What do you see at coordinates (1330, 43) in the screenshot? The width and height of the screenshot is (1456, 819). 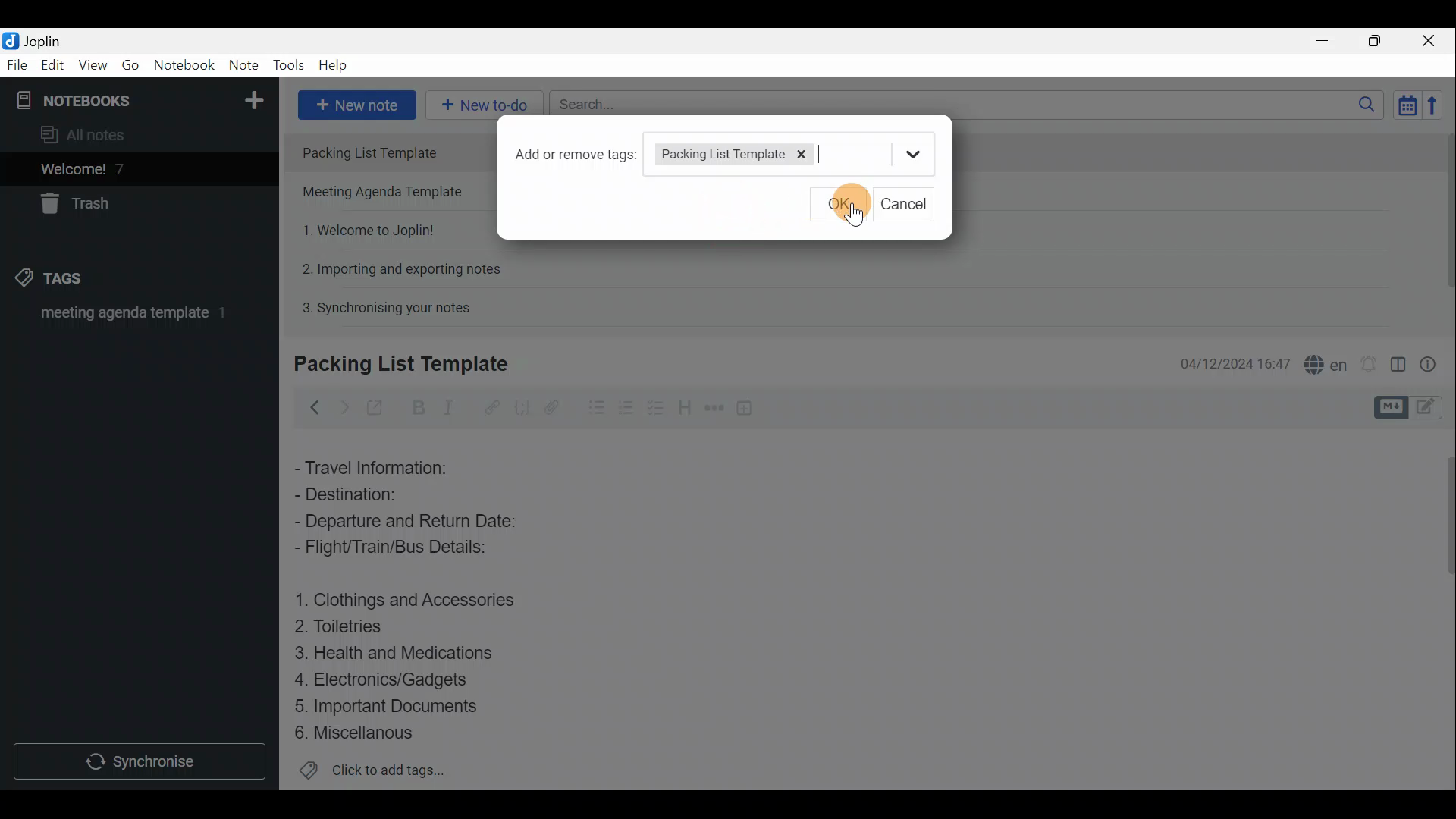 I see `Minimise` at bounding box center [1330, 43].